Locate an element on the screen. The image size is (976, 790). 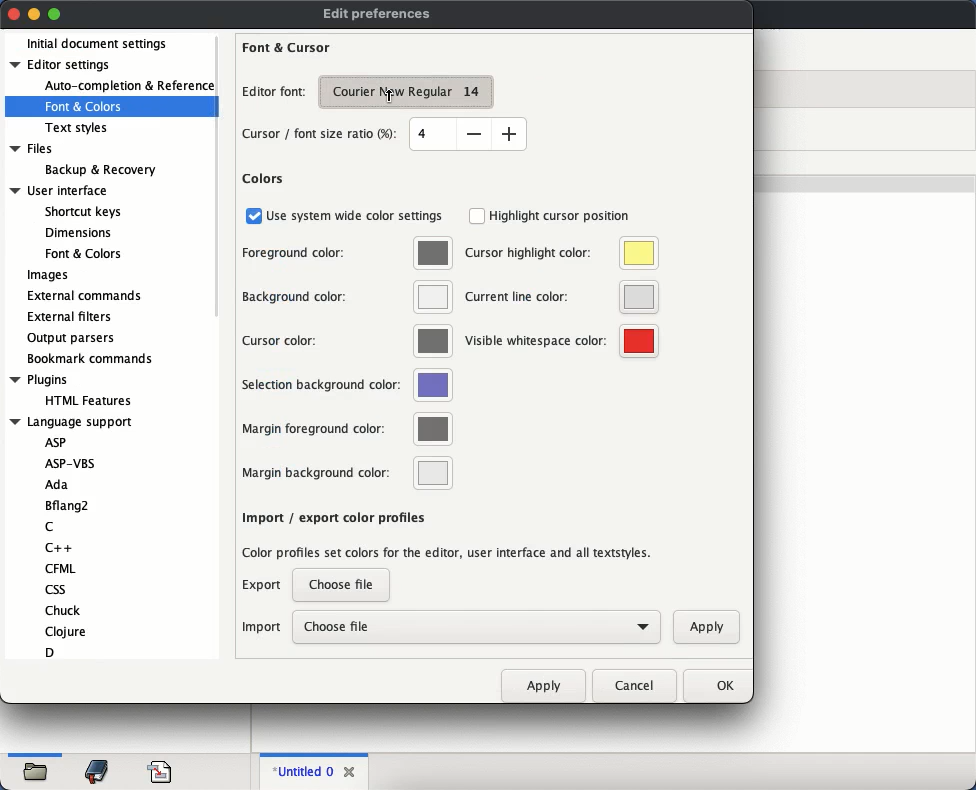
cfml is located at coordinates (59, 568).